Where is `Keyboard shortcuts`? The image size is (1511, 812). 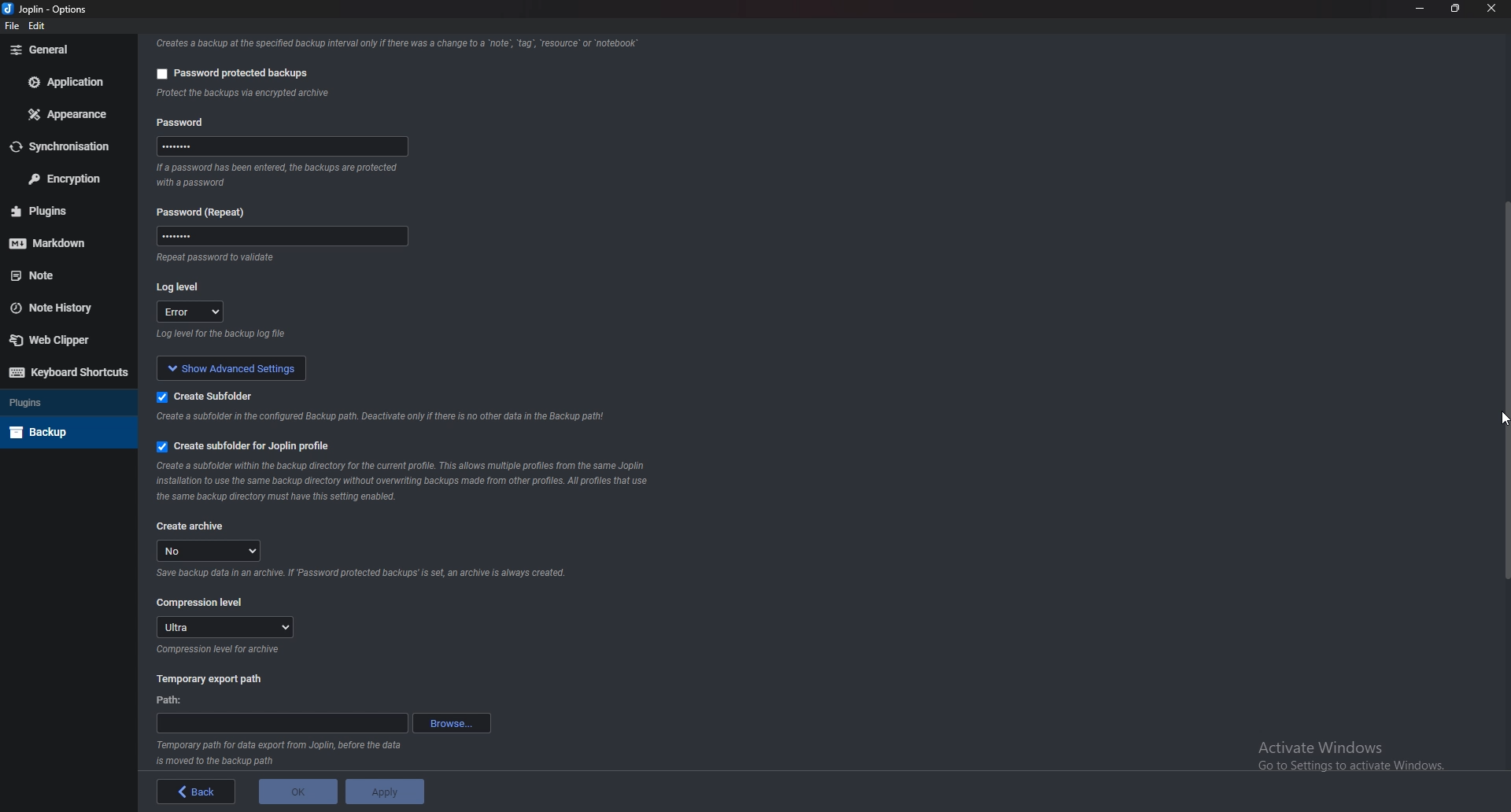
Keyboard shortcuts is located at coordinates (65, 373).